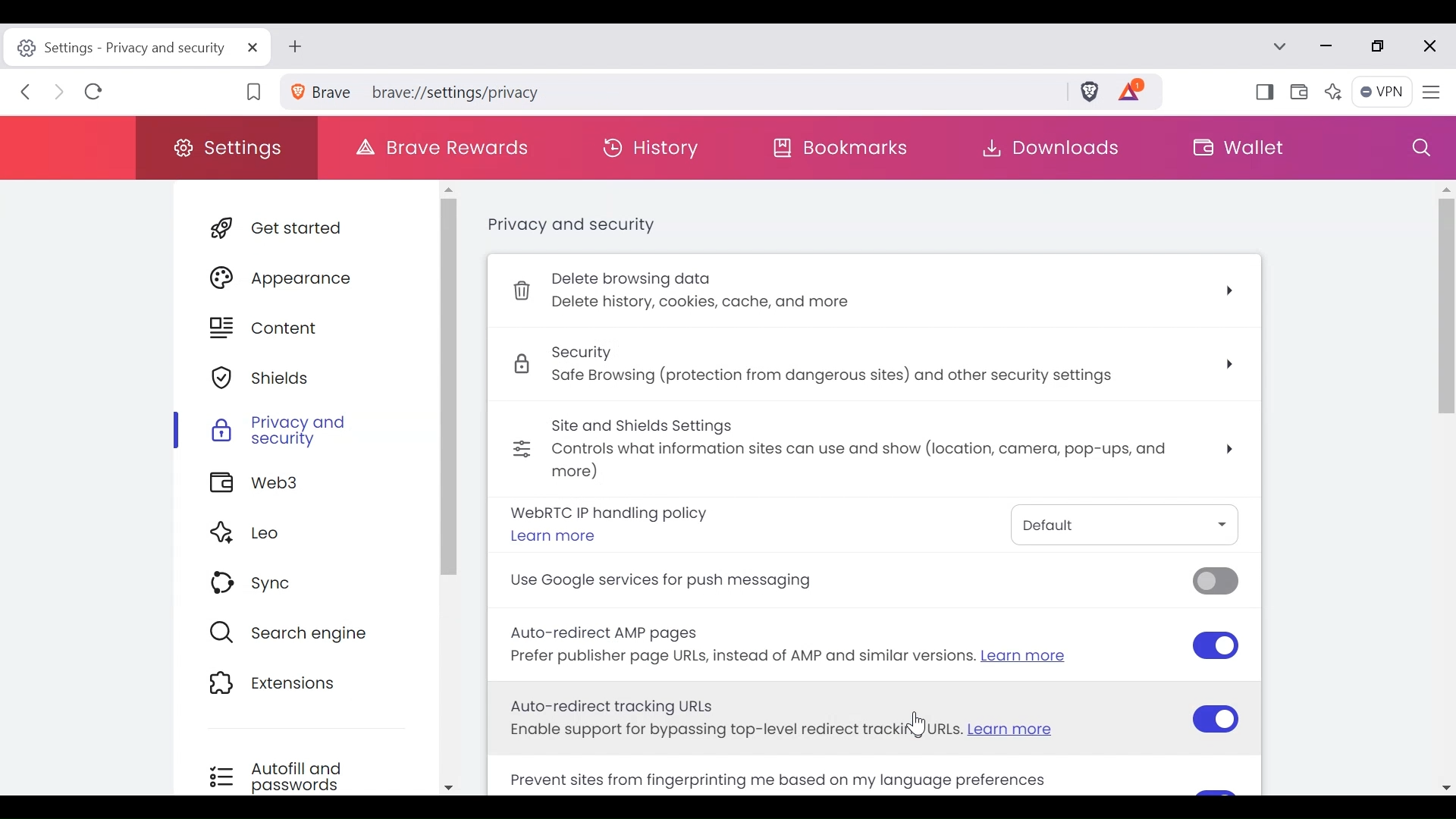 Image resolution: width=1456 pixels, height=819 pixels. Describe the element at coordinates (300, 585) in the screenshot. I see `Sync` at that location.